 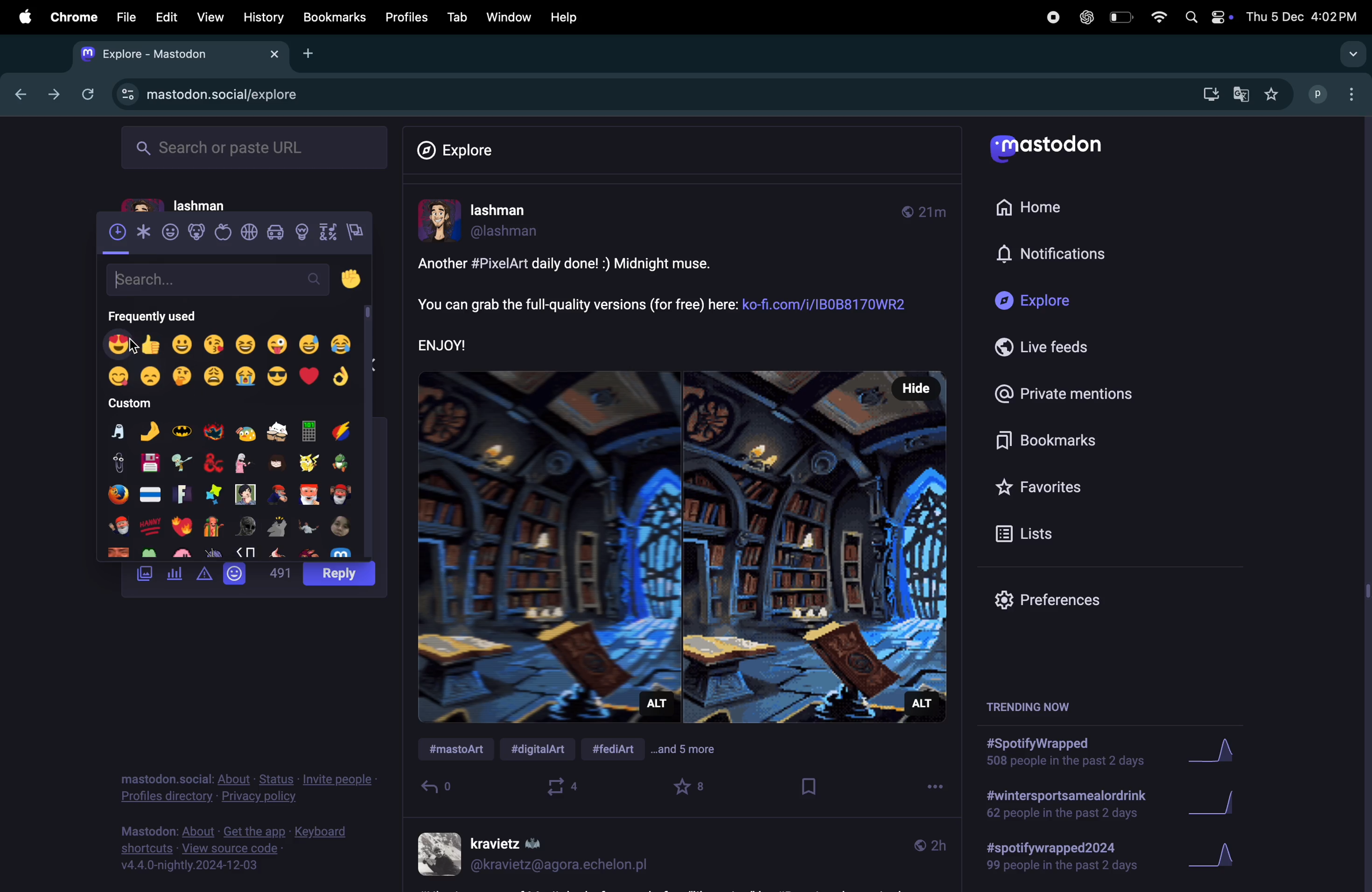 What do you see at coordinates (515, 222) in the screenshot?
I see `userprofile` at bounding box center [515, 222].